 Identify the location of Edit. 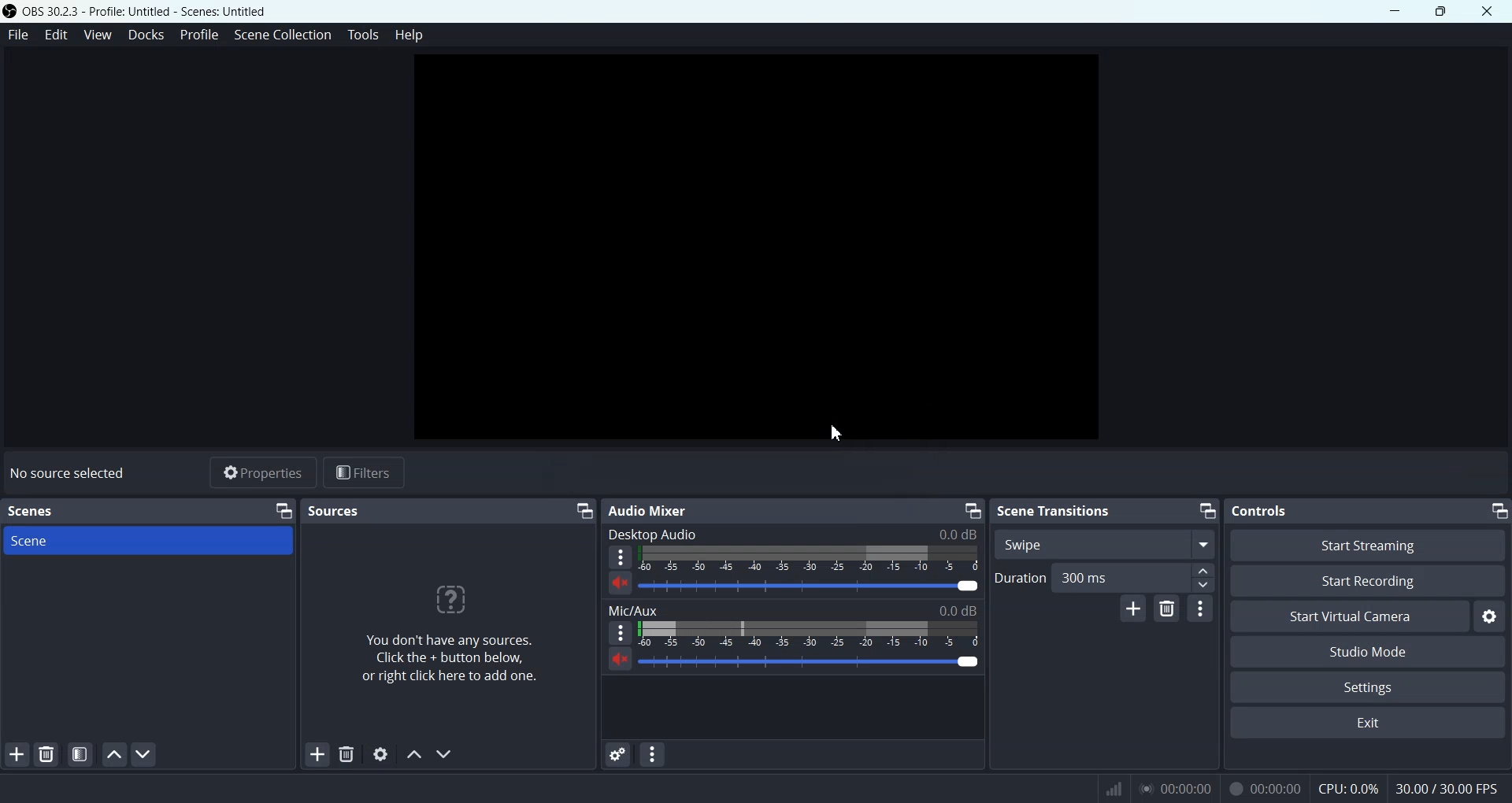
(57, 35).